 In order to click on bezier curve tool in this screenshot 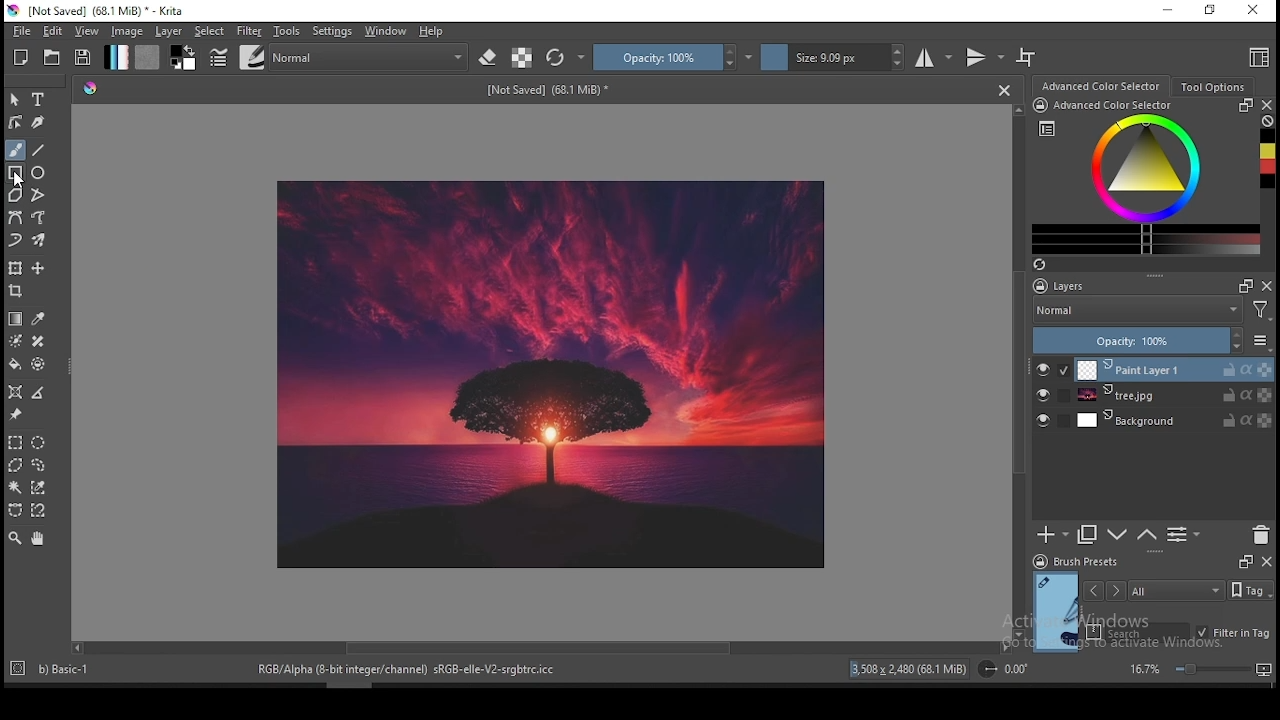, I will do `click(16, 218)`.